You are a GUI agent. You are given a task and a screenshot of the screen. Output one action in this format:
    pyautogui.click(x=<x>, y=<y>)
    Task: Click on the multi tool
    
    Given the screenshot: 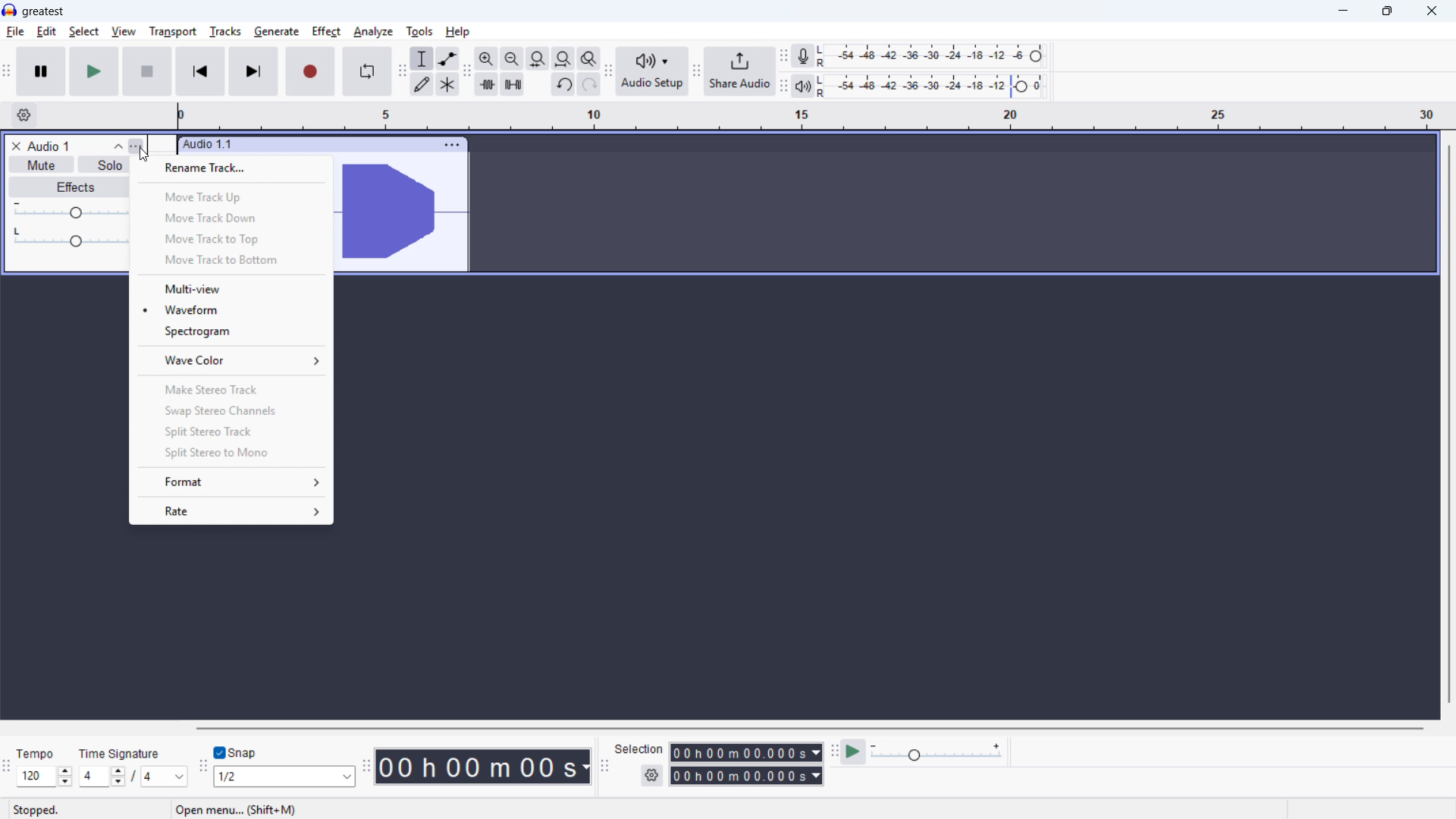 What is the action you would take?
    pyautogui.click(x=448, y=85)
    